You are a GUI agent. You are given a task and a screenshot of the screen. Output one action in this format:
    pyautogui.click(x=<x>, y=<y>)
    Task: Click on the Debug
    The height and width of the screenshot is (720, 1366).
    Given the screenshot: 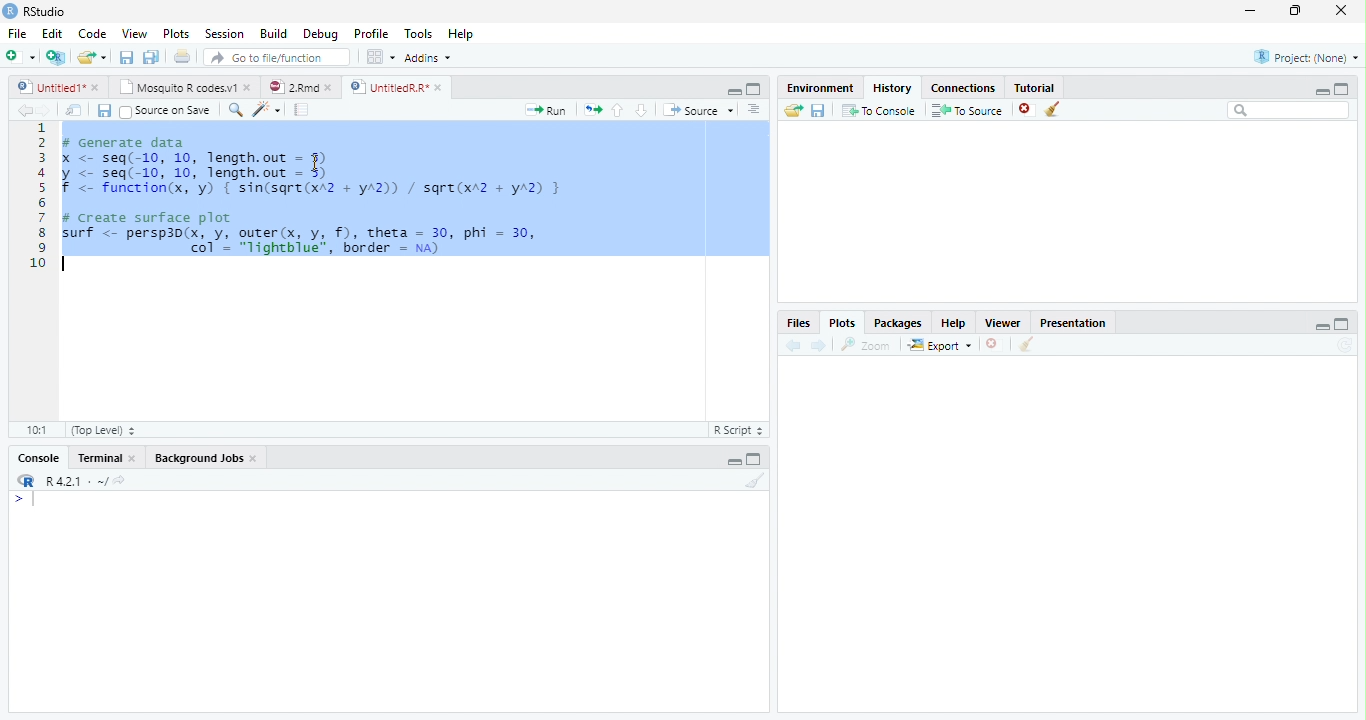 What is the action you would take?
    pyautogui.click(x=320, y=33)
    